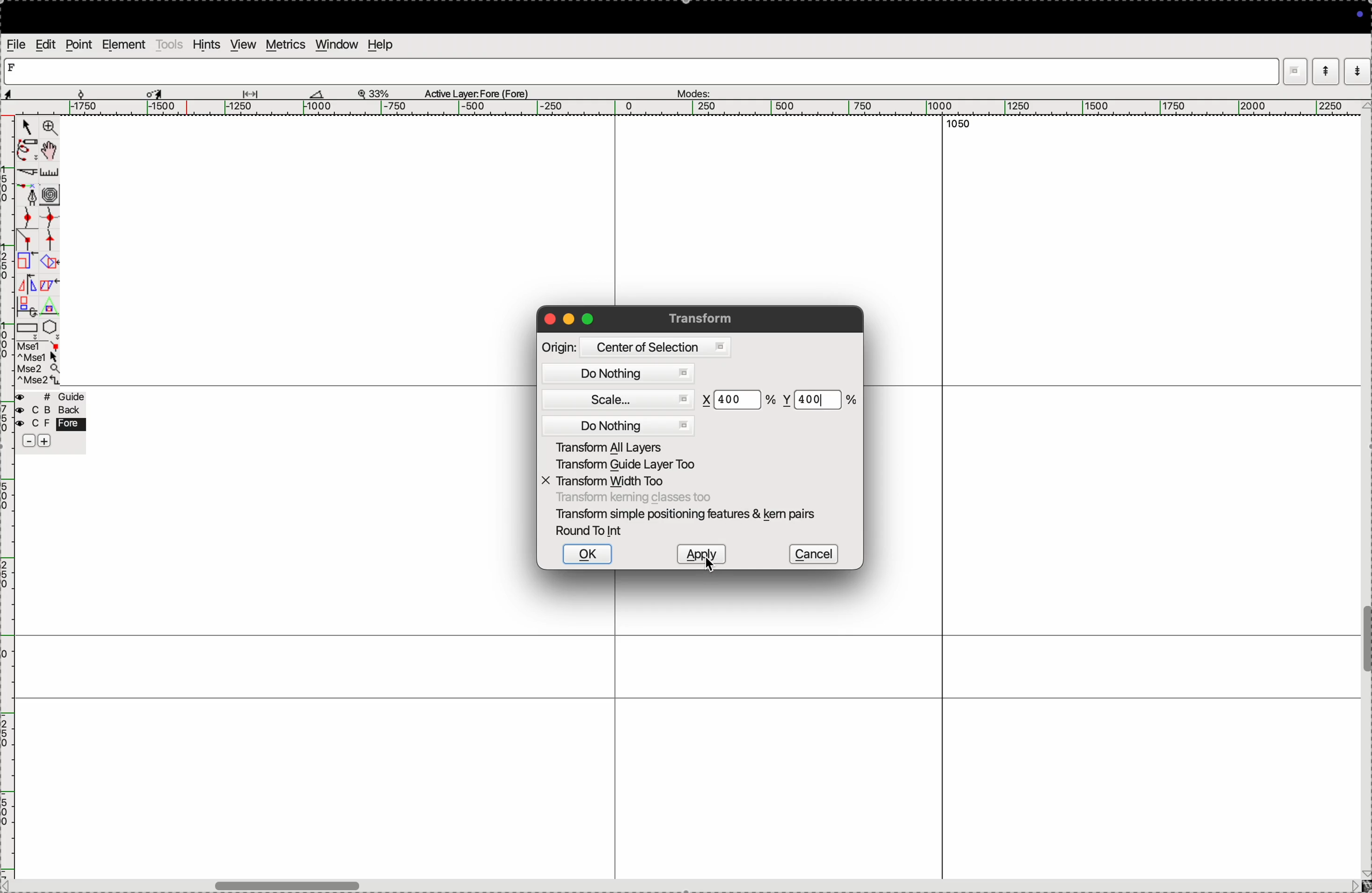  I want to click on Active layer, so click(477, 92).